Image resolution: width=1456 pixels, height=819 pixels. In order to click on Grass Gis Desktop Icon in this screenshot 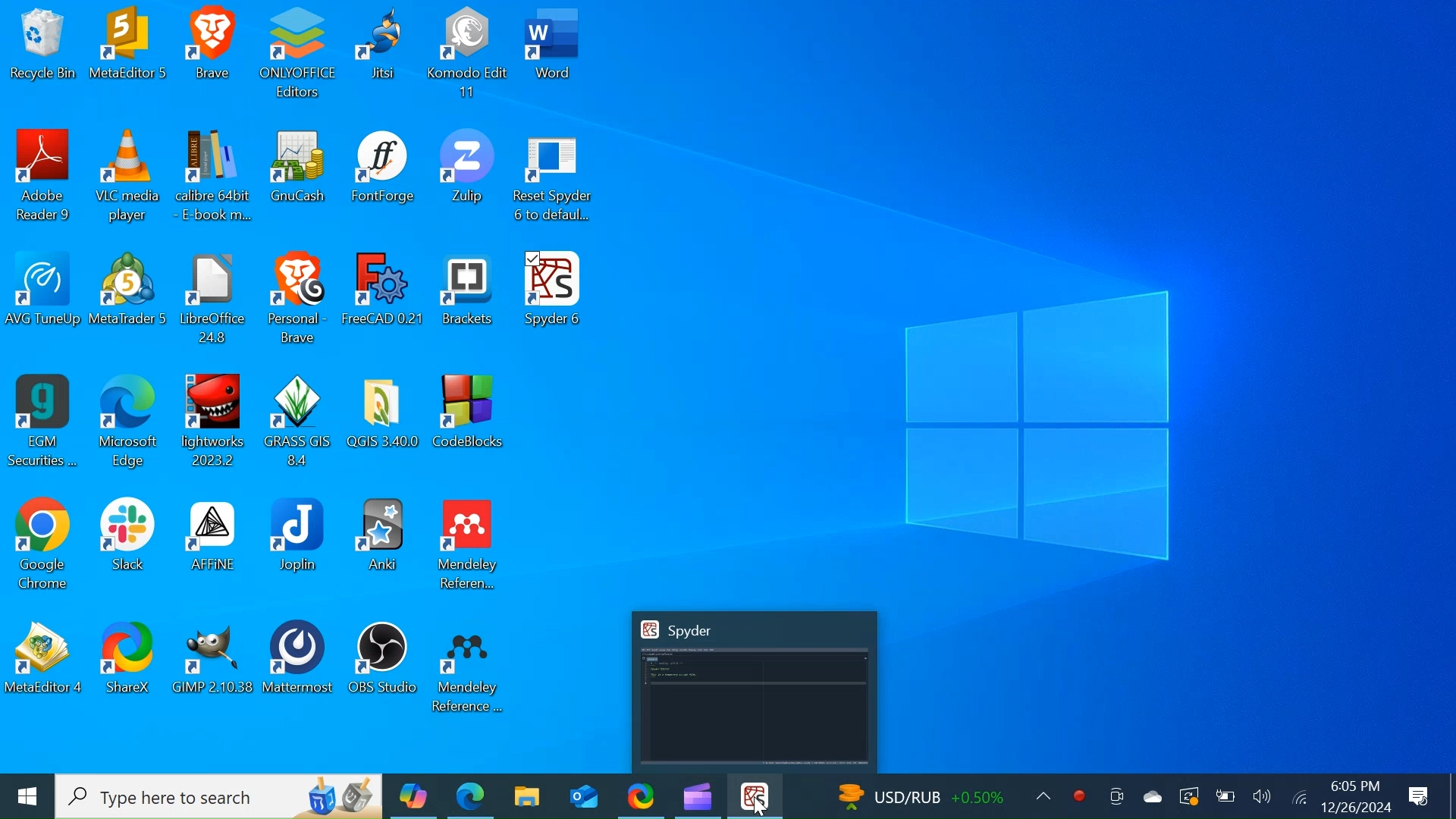, I will do `click(302, 426)`.